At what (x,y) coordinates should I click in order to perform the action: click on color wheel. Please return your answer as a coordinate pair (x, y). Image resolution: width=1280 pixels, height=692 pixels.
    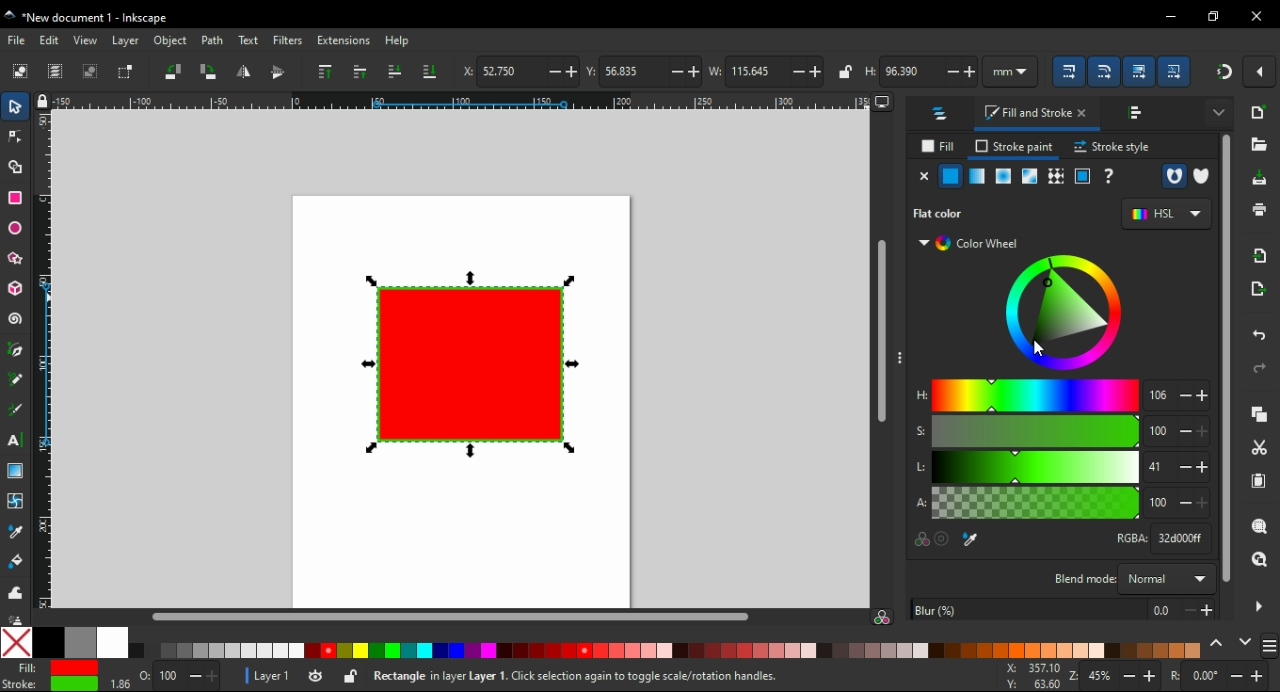
    Looking at the image, I should click on (1060, 312).